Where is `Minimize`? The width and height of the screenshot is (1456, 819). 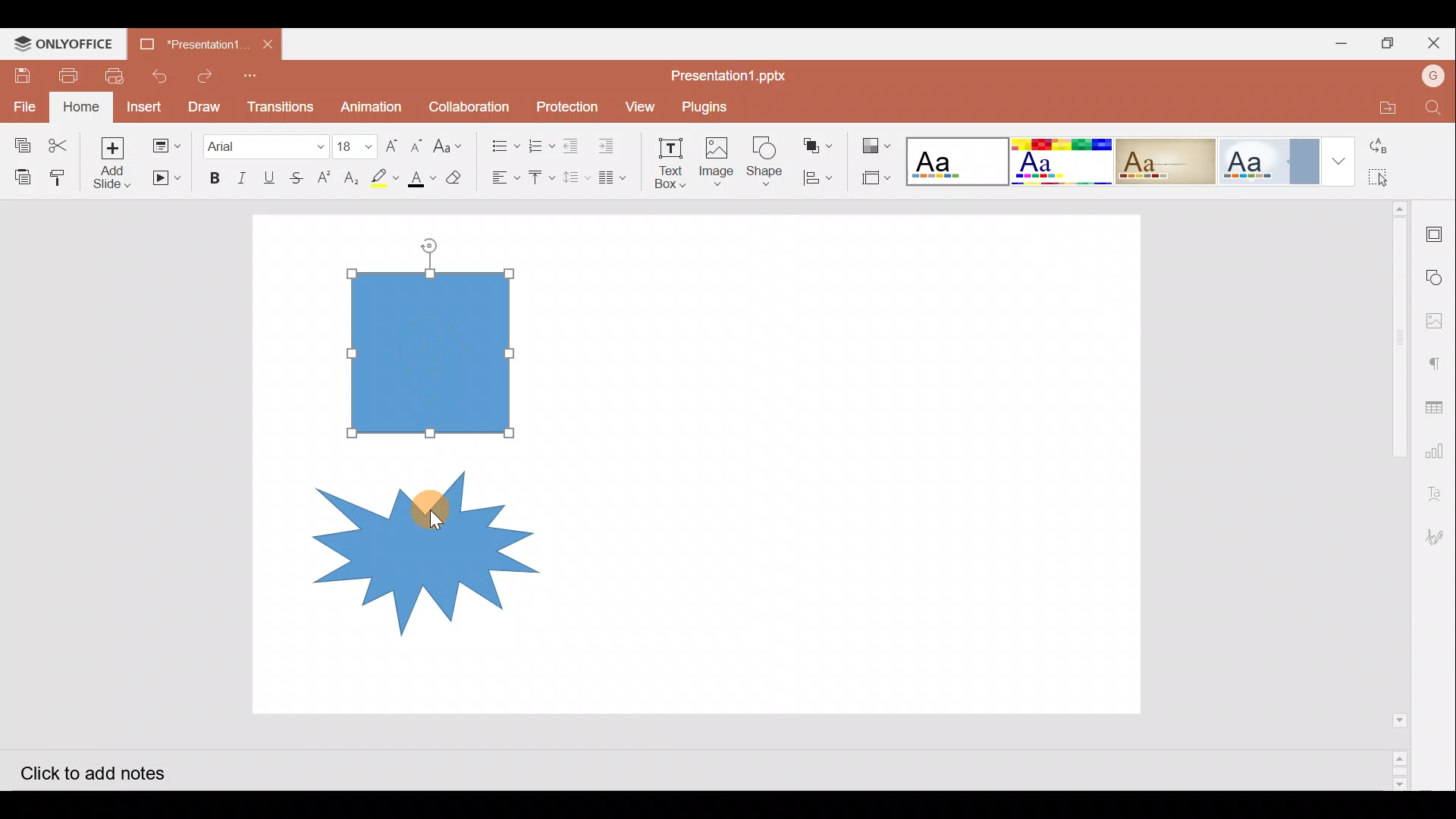
Minimize is located at coordinates (1337, 44).